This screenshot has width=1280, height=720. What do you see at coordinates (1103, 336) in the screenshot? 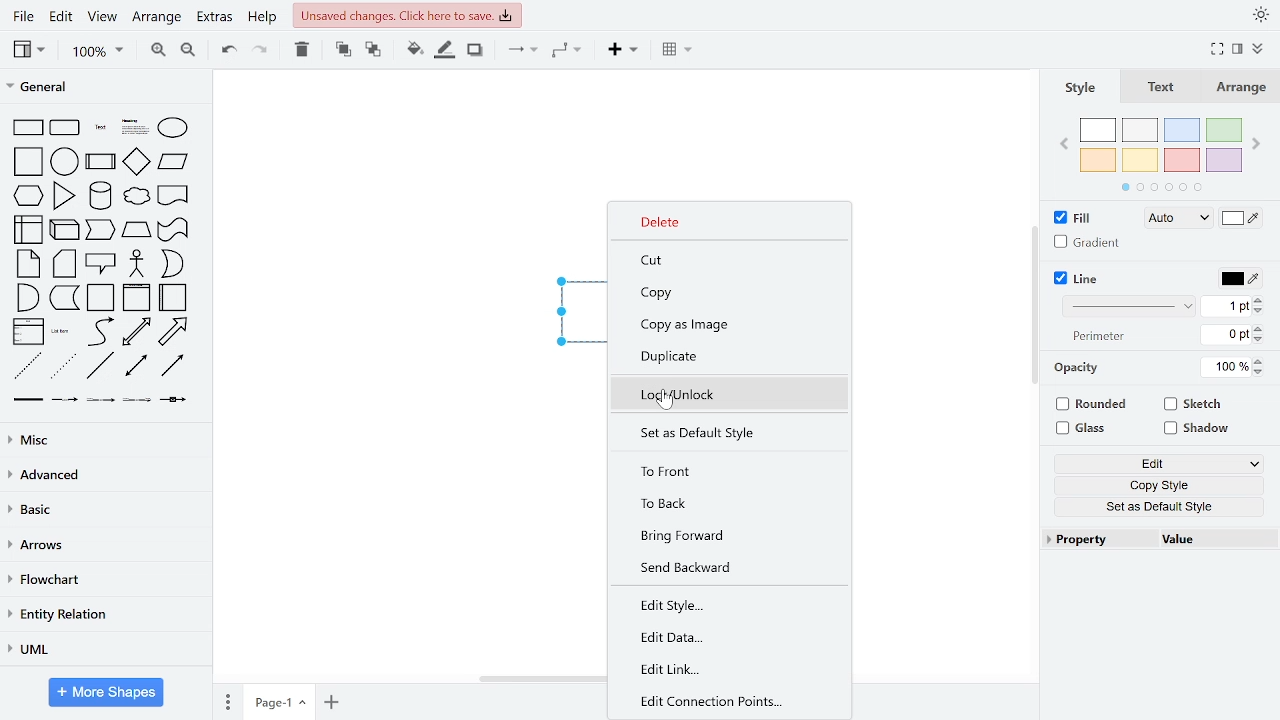
I see `perimeter` at bounding box center [1103, 336].